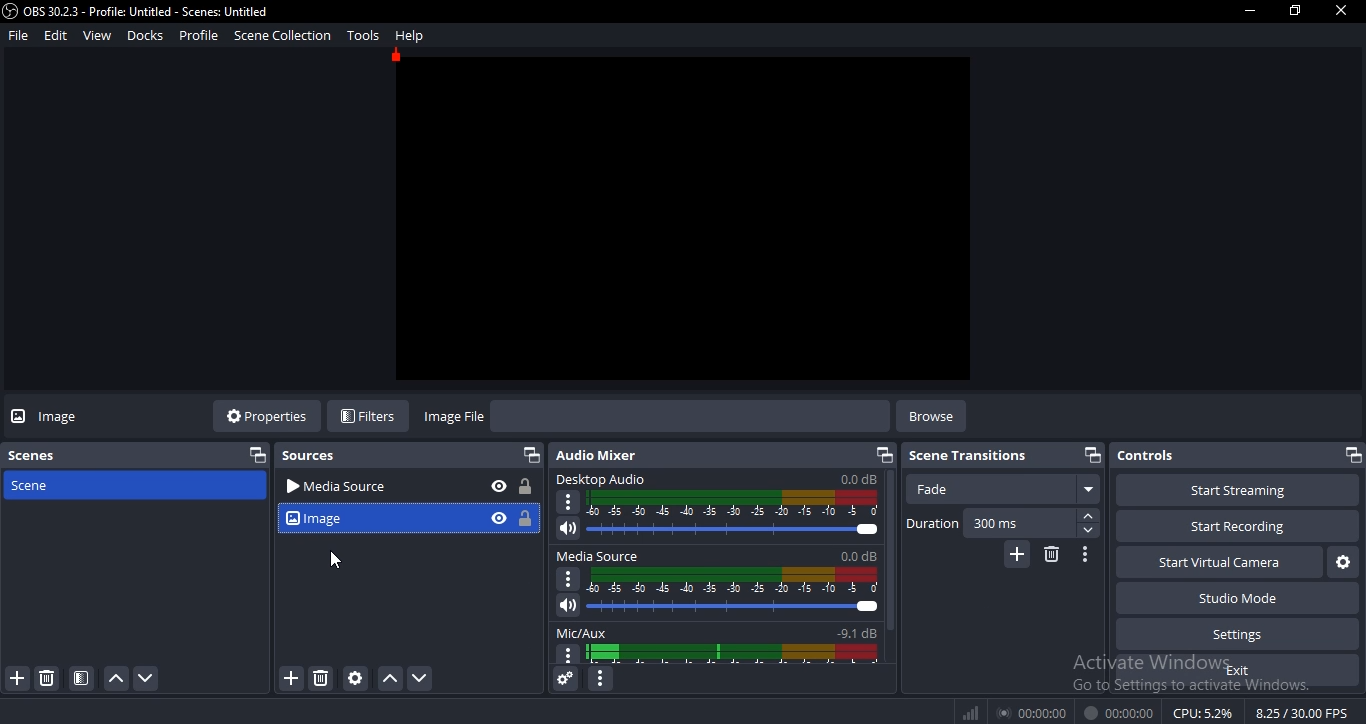 The width and height of the screenshot is (1366, 724). What do you see at coordinates (371, 414) in the screenshot?
I see `filters` at bounding box center [371, 414].